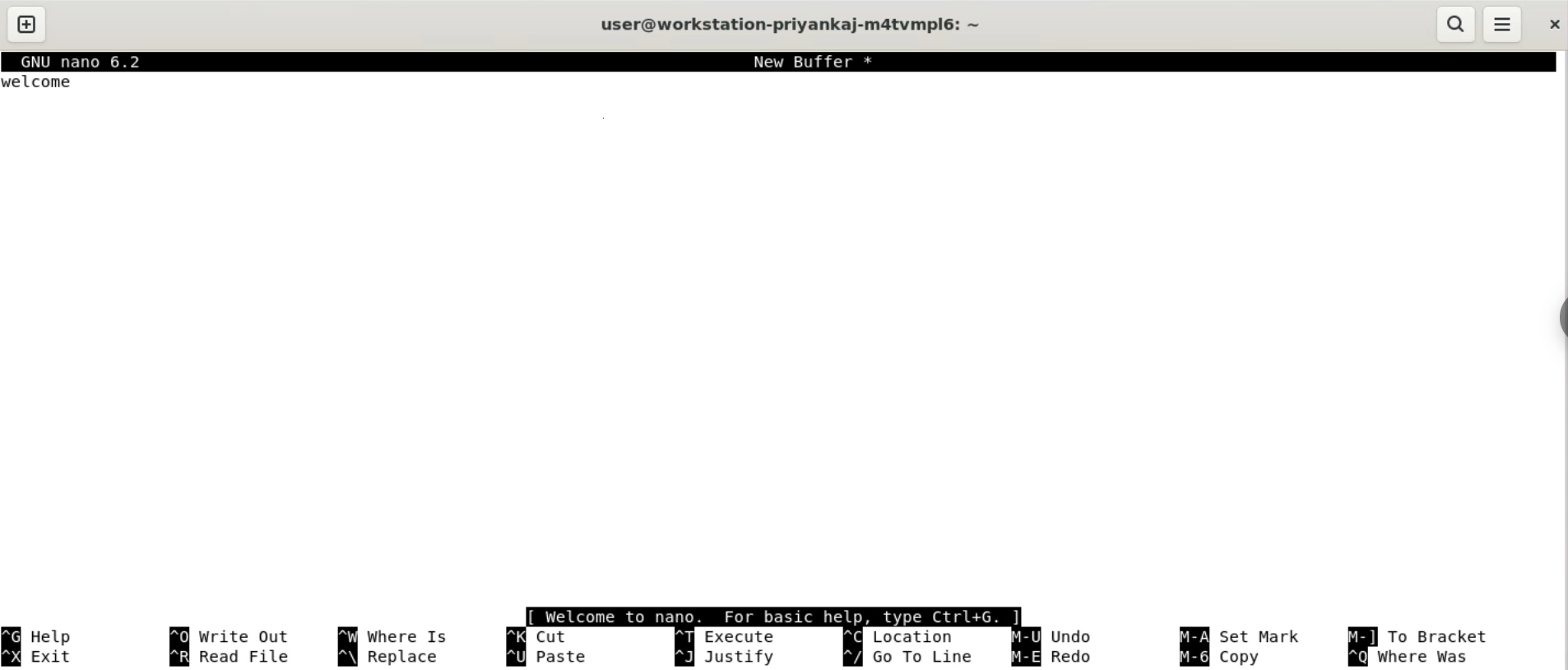  Describe the element at coordinates (772, 615) in the screenshot. I see `[ welcome to nano. For basic help, type Ctrl+G. |]` at that location.